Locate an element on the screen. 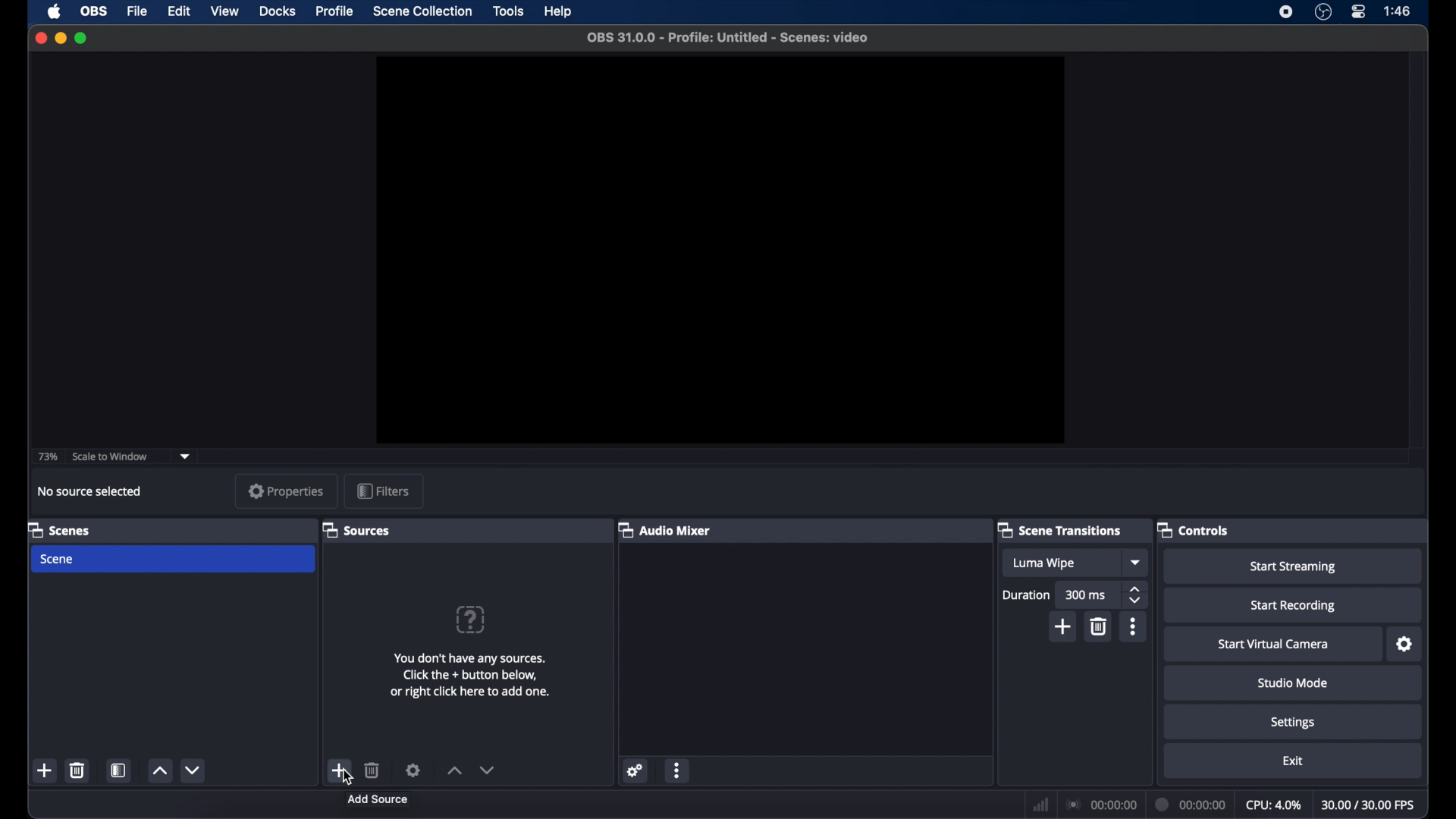 This screenshot has height=819, width=1456. cursor is located at coordinates (347, 780).